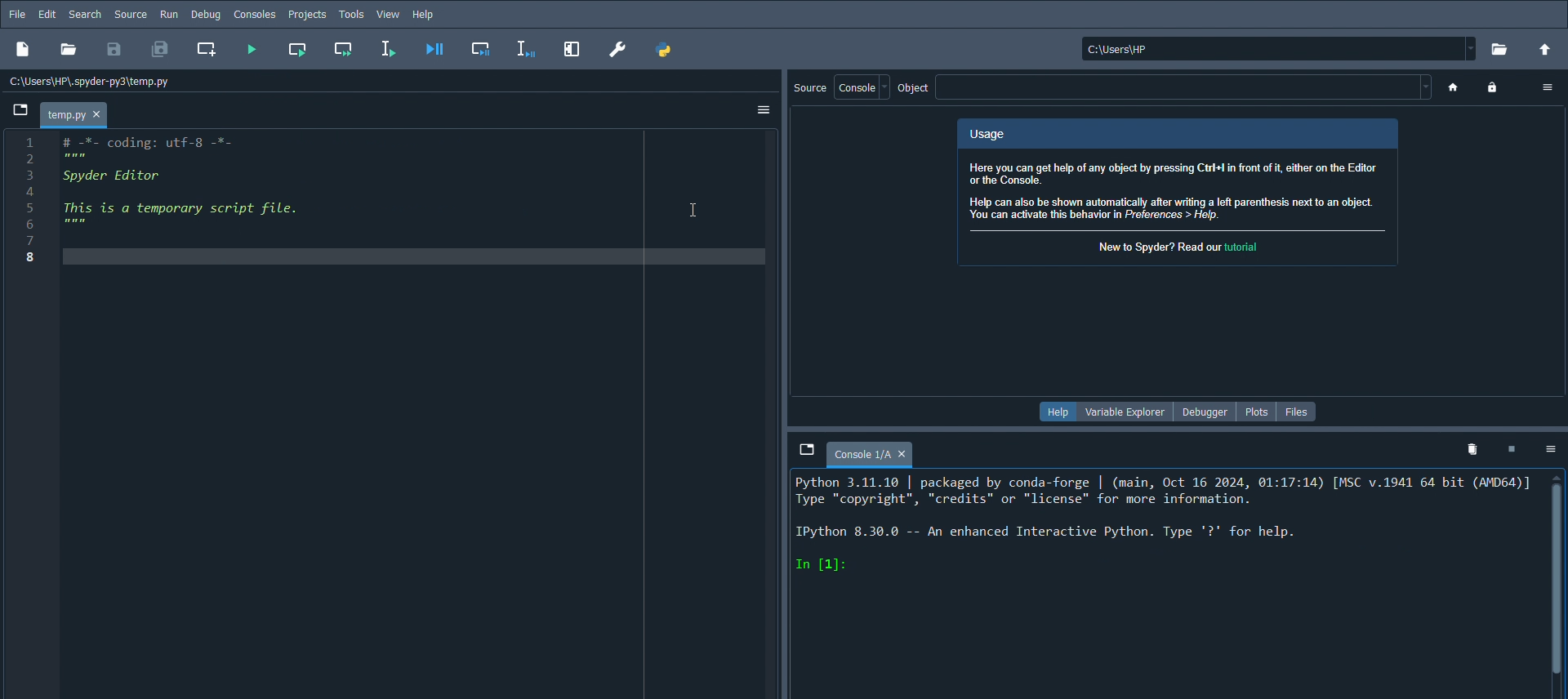  What do you see at coordinates (1559, 569) in the screenshot?
I see `scrollbar` at bounding box center [1559, 569].